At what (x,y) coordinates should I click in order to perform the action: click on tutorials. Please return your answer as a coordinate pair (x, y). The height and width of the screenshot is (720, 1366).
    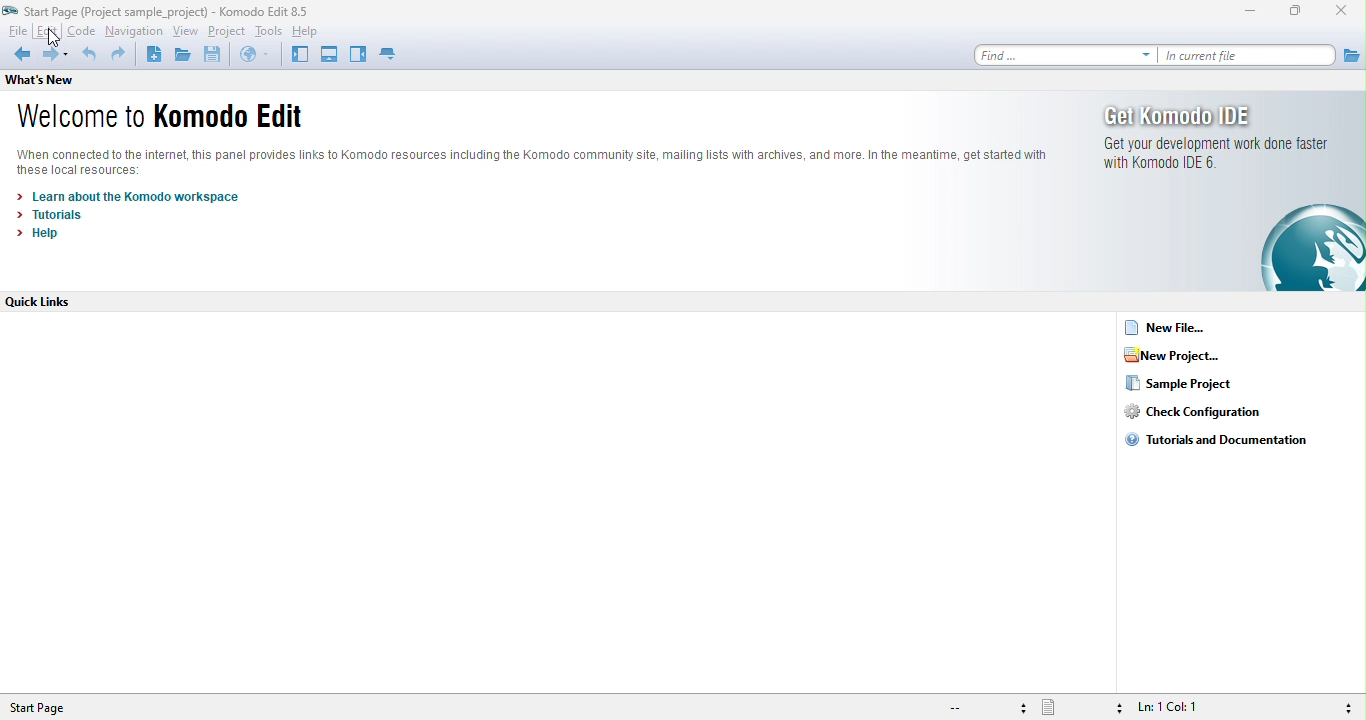
    Looking at the image, I should click on (55, 216).